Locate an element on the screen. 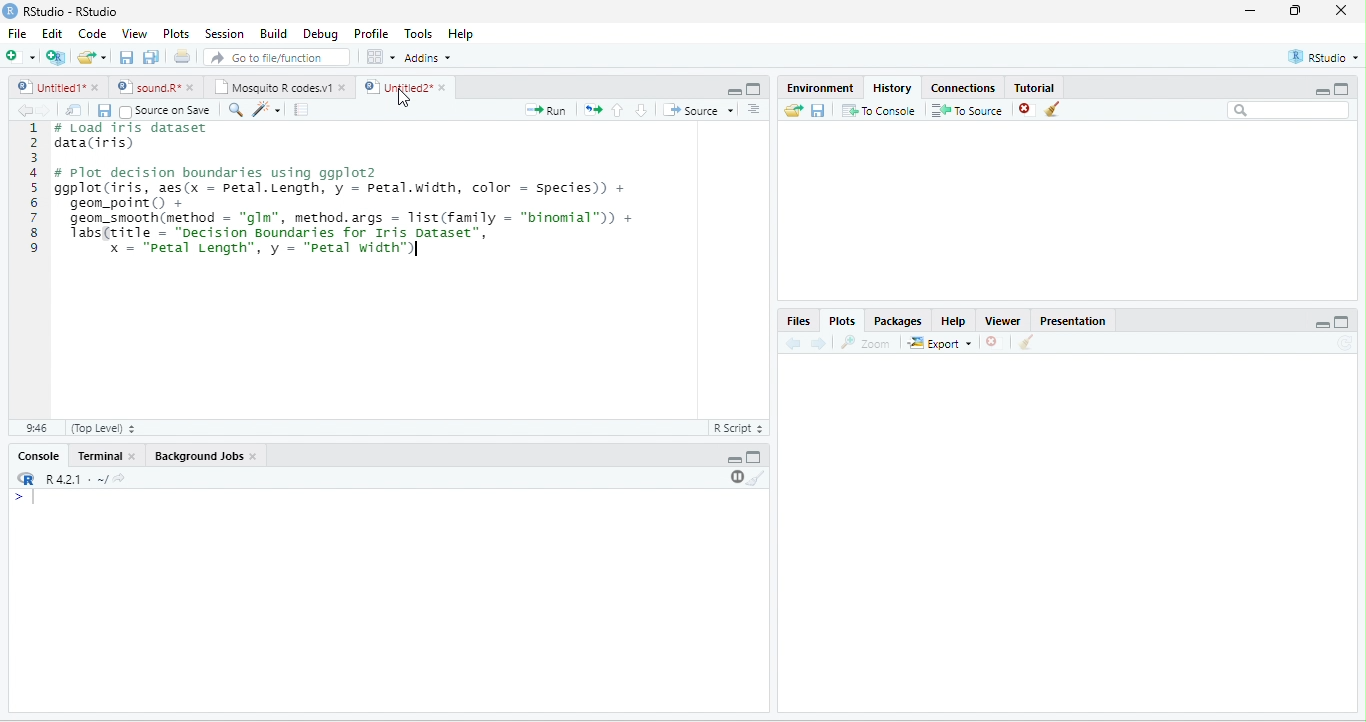 This screenshot has height=722, width=1366. R.4.2.1 .~/ is located at coordinates (71, 480).